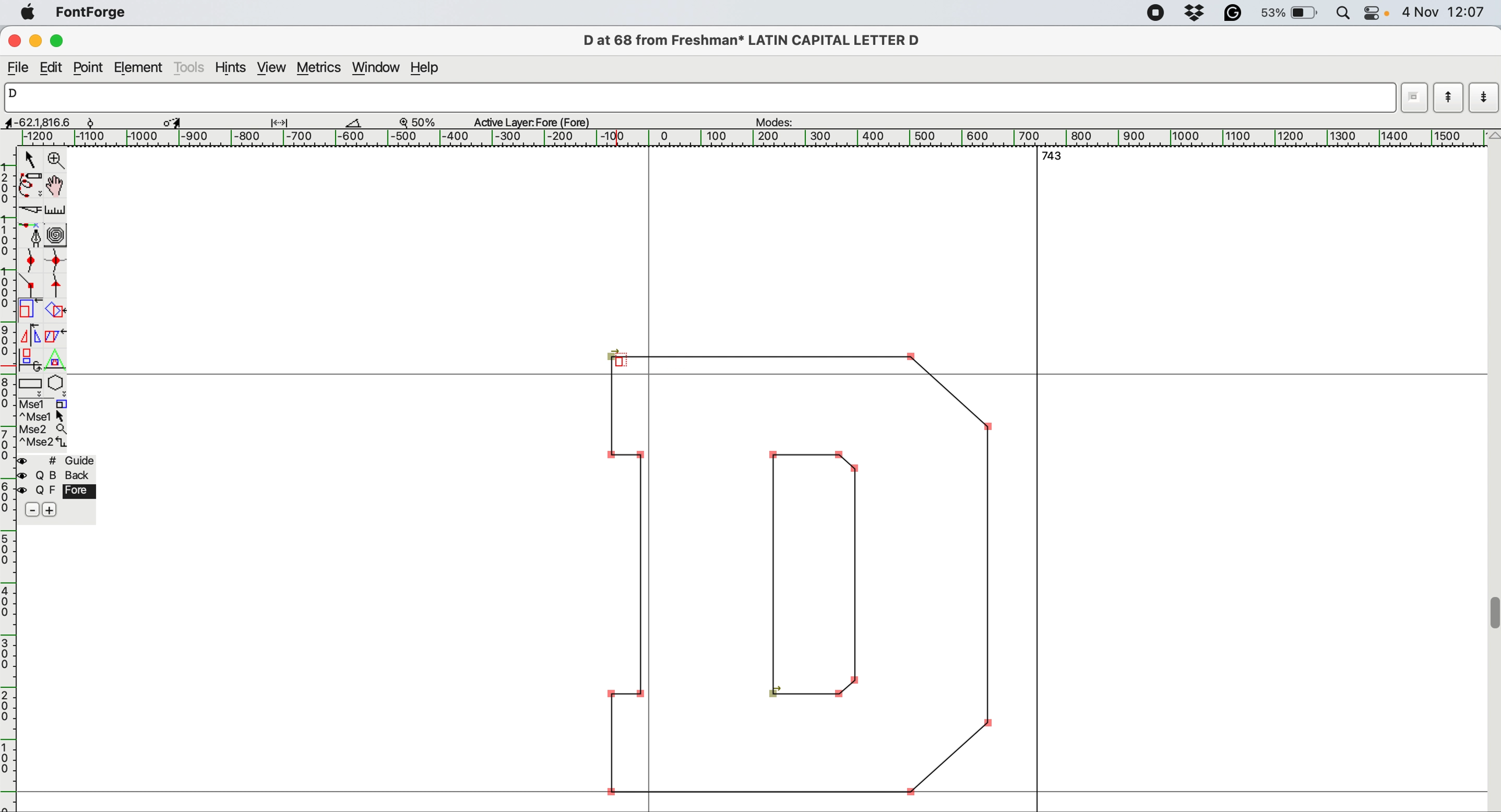 This screenshot has width=1501, height=812. I want to click on point, so click(89, 68).